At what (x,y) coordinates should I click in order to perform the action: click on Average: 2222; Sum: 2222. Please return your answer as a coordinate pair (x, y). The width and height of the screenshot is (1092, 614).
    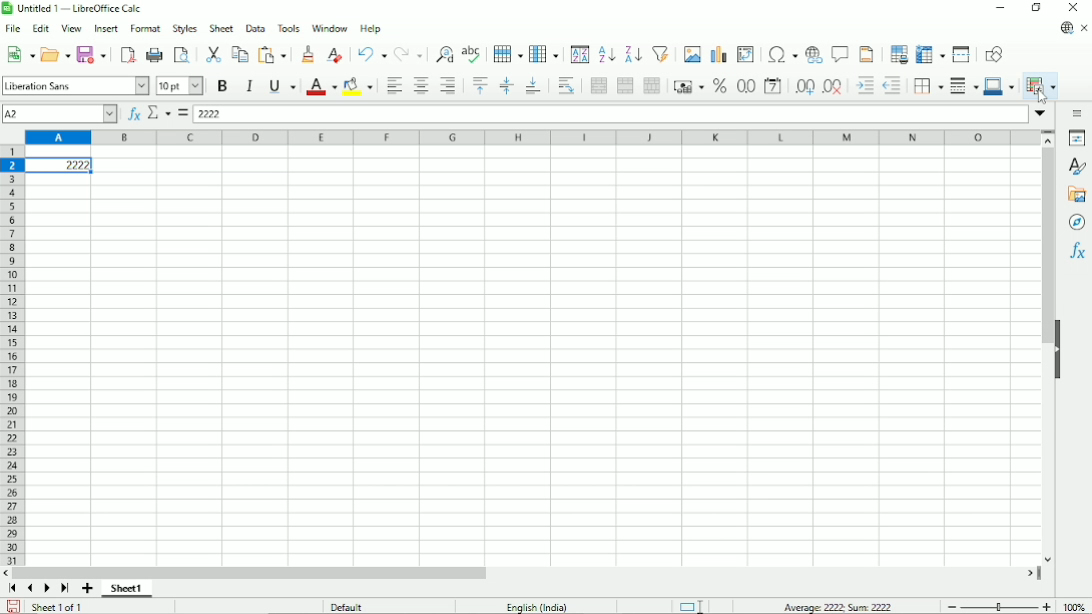
    Looking at the image, I should click on (838, 606).